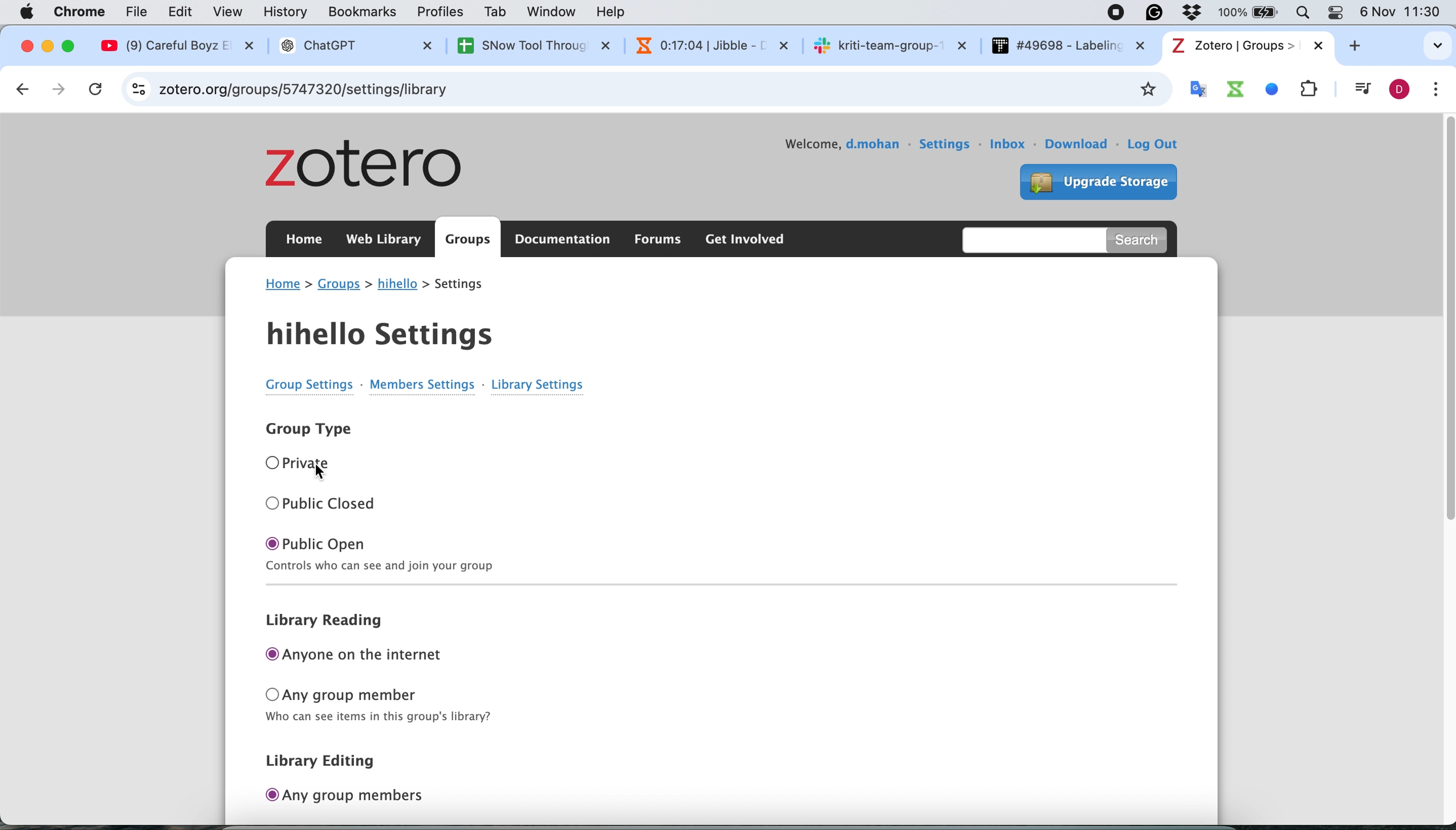 This screenshot has height=830, width=1456. What do you see at coordinates (808, 144) in the screenshot?
I see `welcome` at bounding box center [808, 144].